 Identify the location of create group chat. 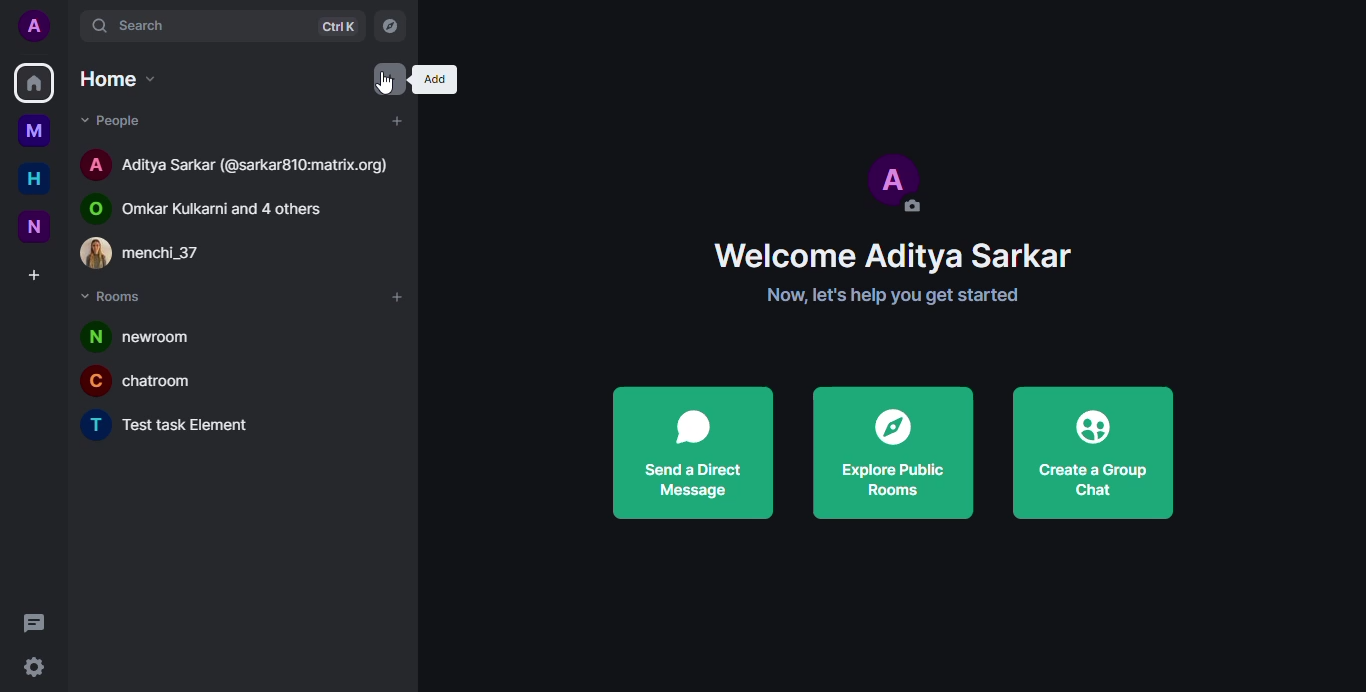
(1091, 452).